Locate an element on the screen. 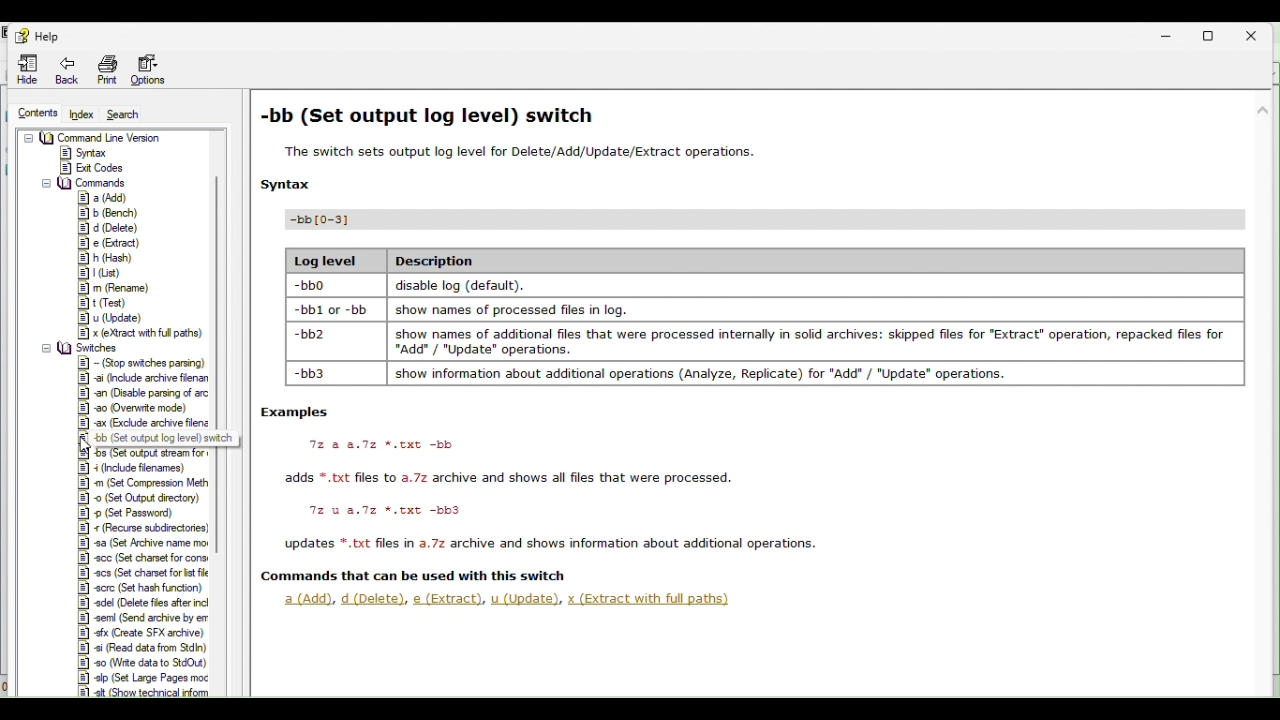  =] a (Add) is located at coordinates (106, 197).